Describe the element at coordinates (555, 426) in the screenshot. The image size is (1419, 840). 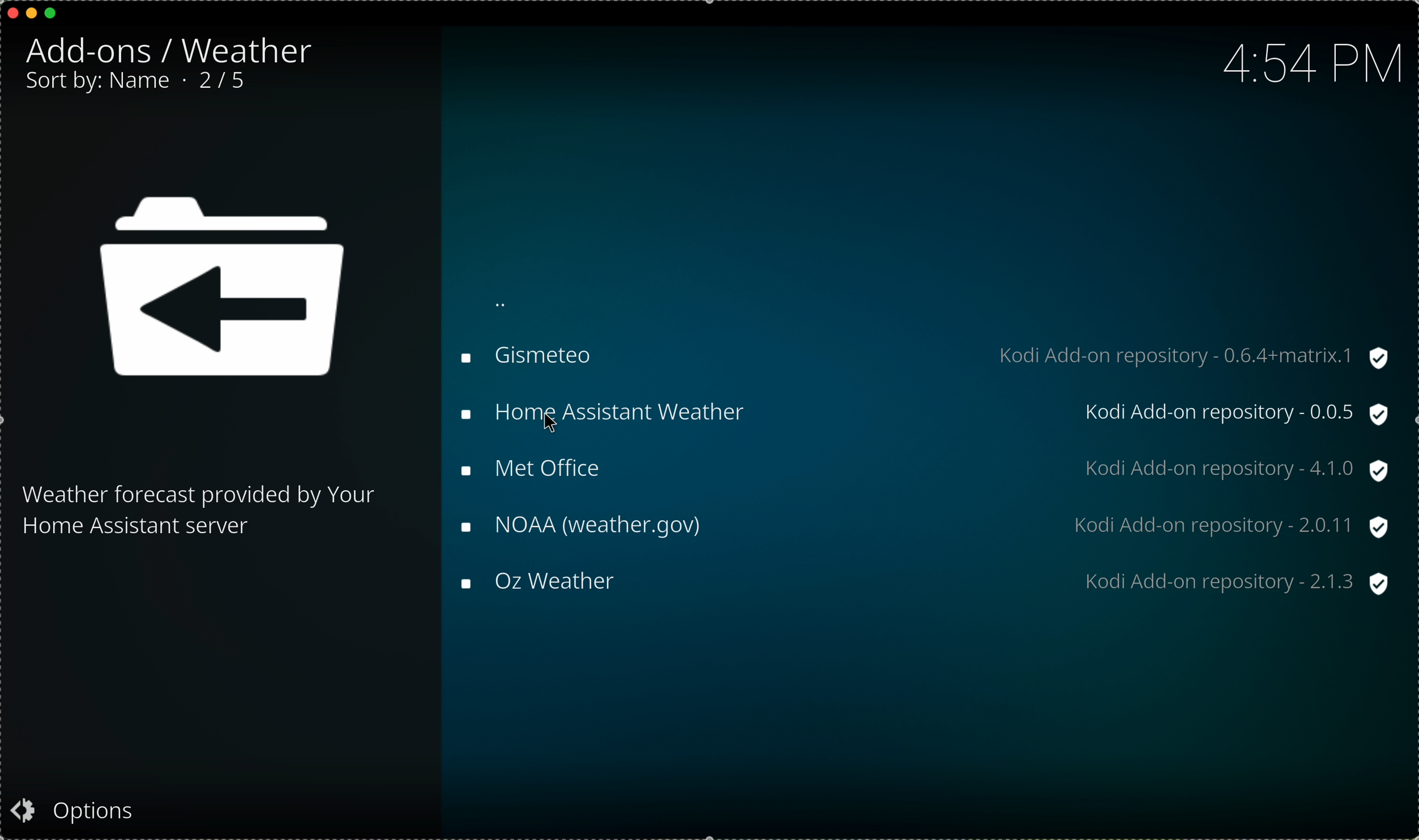
I see `cursor` at that location.